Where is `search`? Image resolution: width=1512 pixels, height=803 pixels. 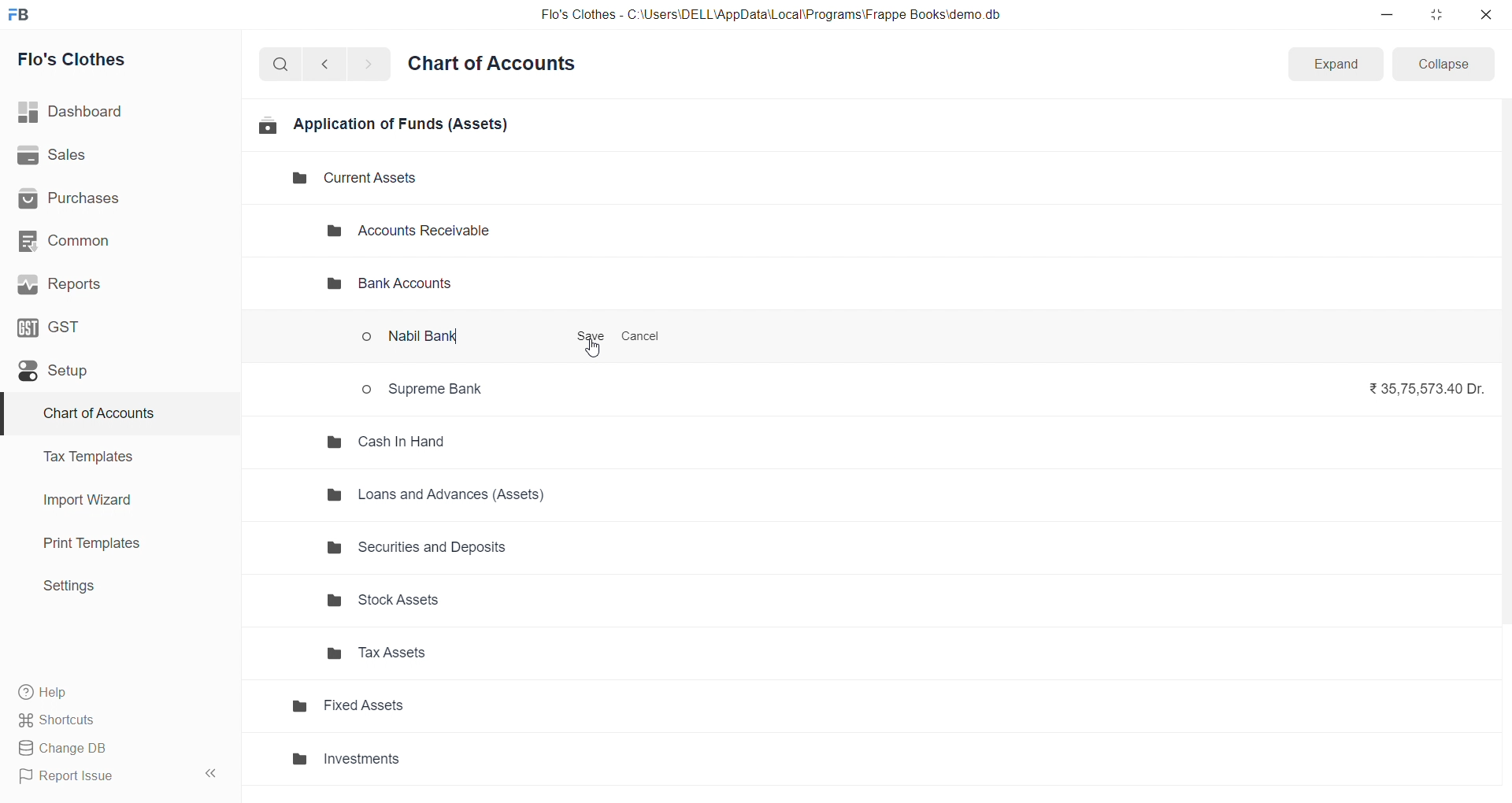 search is located at coordinates (283, 63).